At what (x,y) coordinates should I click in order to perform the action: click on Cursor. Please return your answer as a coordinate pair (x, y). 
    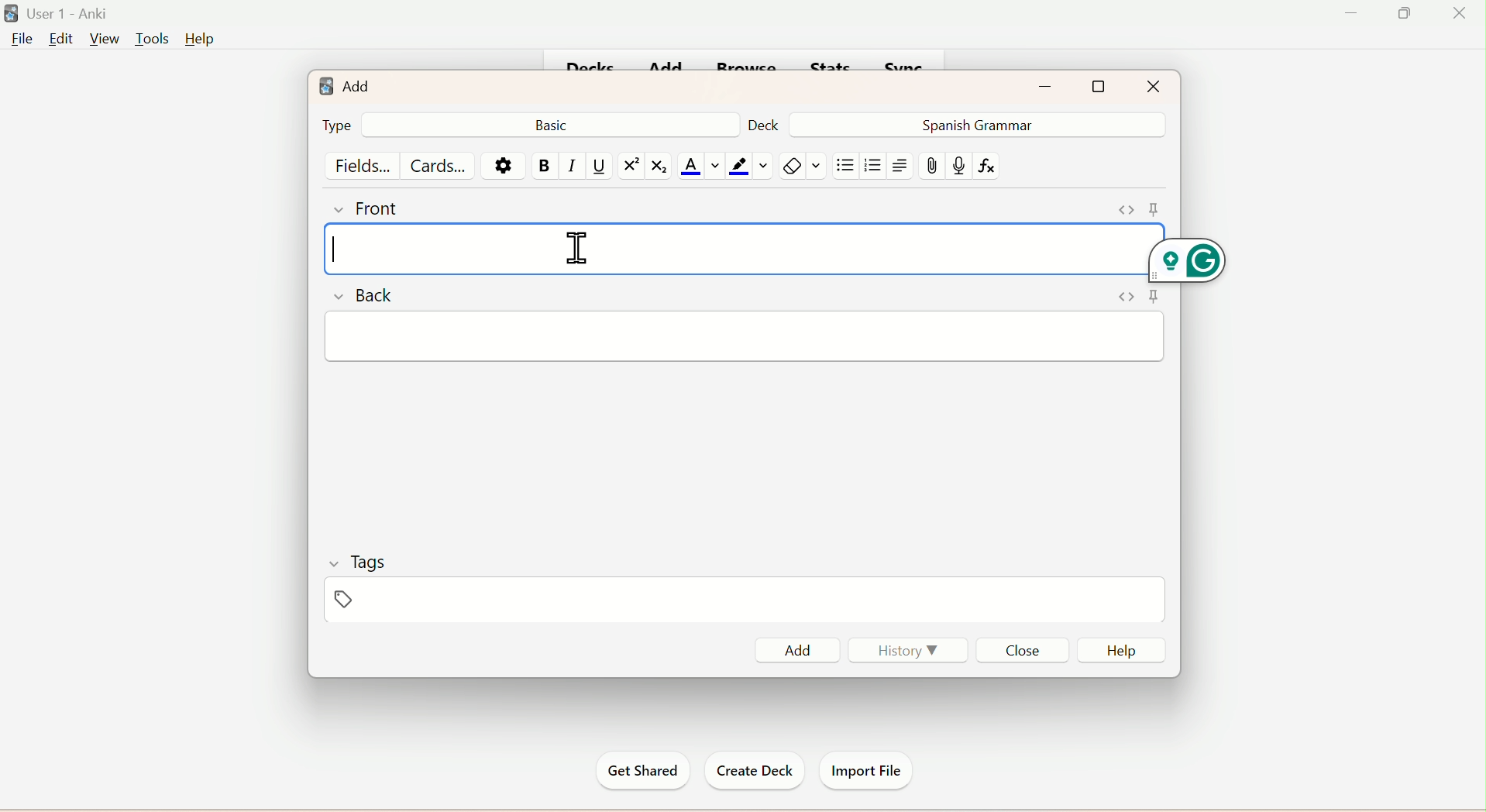
    Looking at the image, I should click on (582, 246).